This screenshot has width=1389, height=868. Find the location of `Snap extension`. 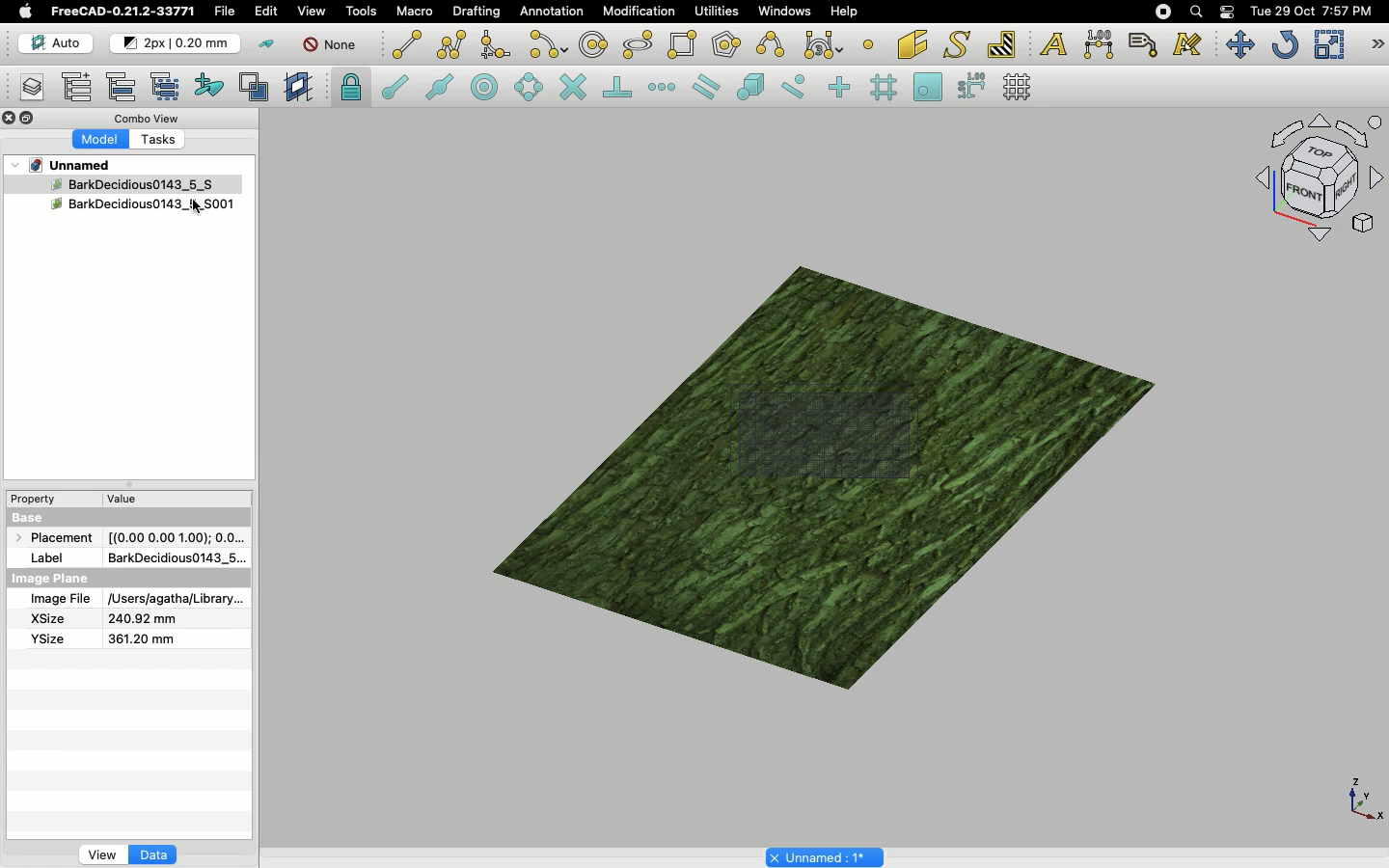

Snap extension is located at coordinates (664, 88).